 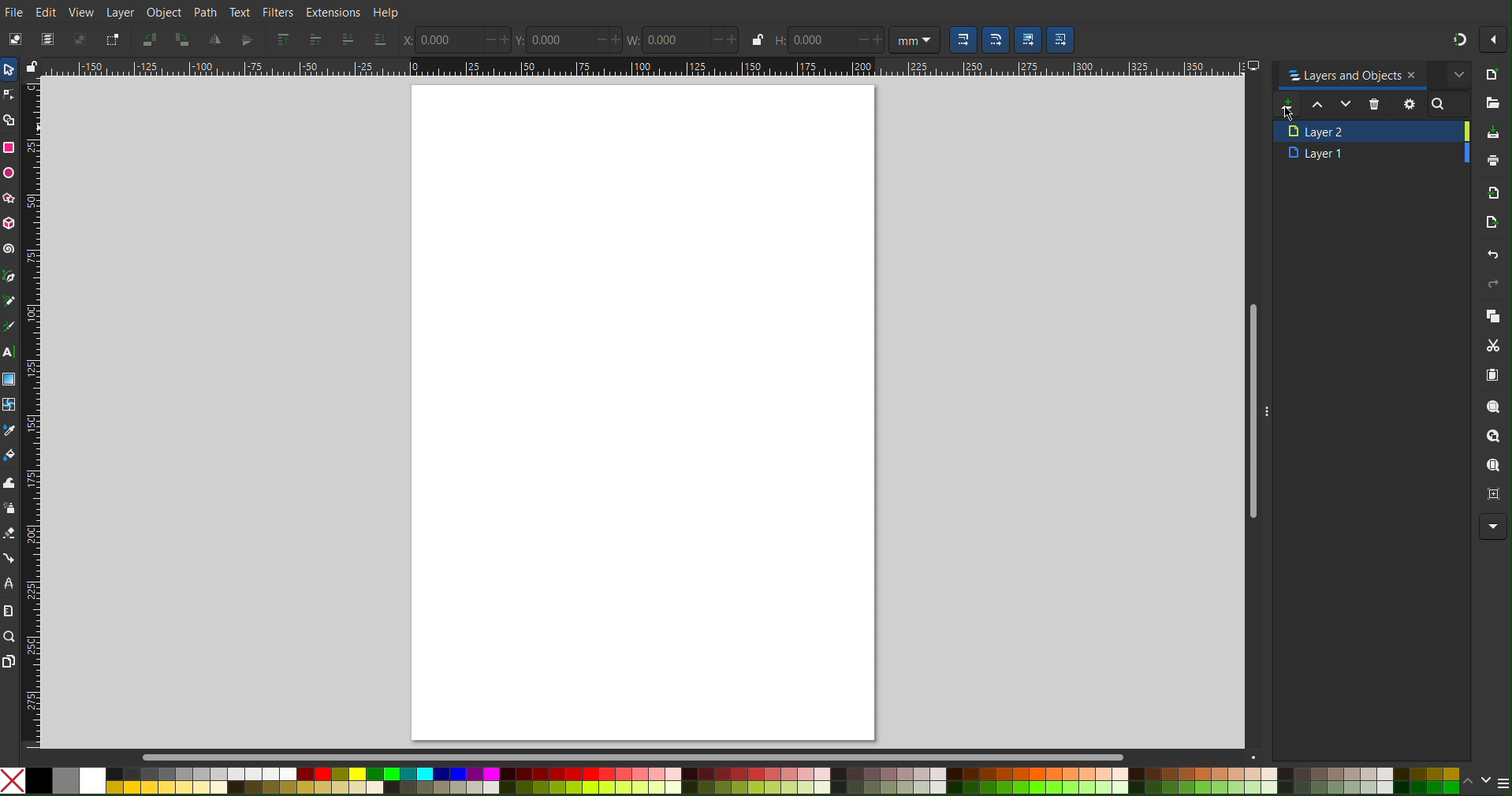 What do you see at coordinates (13, 277) in the screenshot?
I see `Pen Tool` at bounding box center [13, 277].